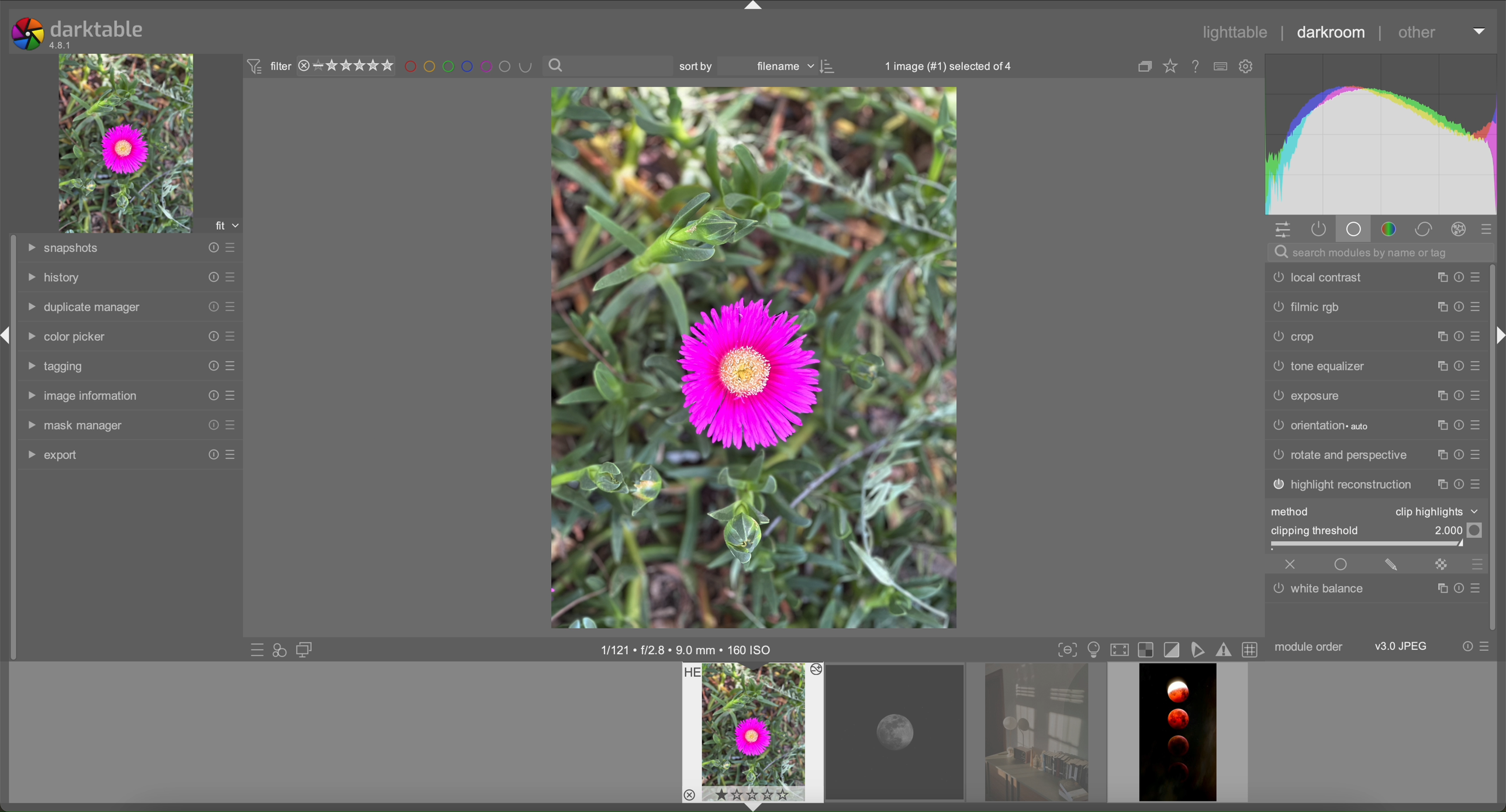 This screenshot has height=812, width=1506. Describe the element at coordinates (1197, 68) in the screenshot. I see `online help` at that location.